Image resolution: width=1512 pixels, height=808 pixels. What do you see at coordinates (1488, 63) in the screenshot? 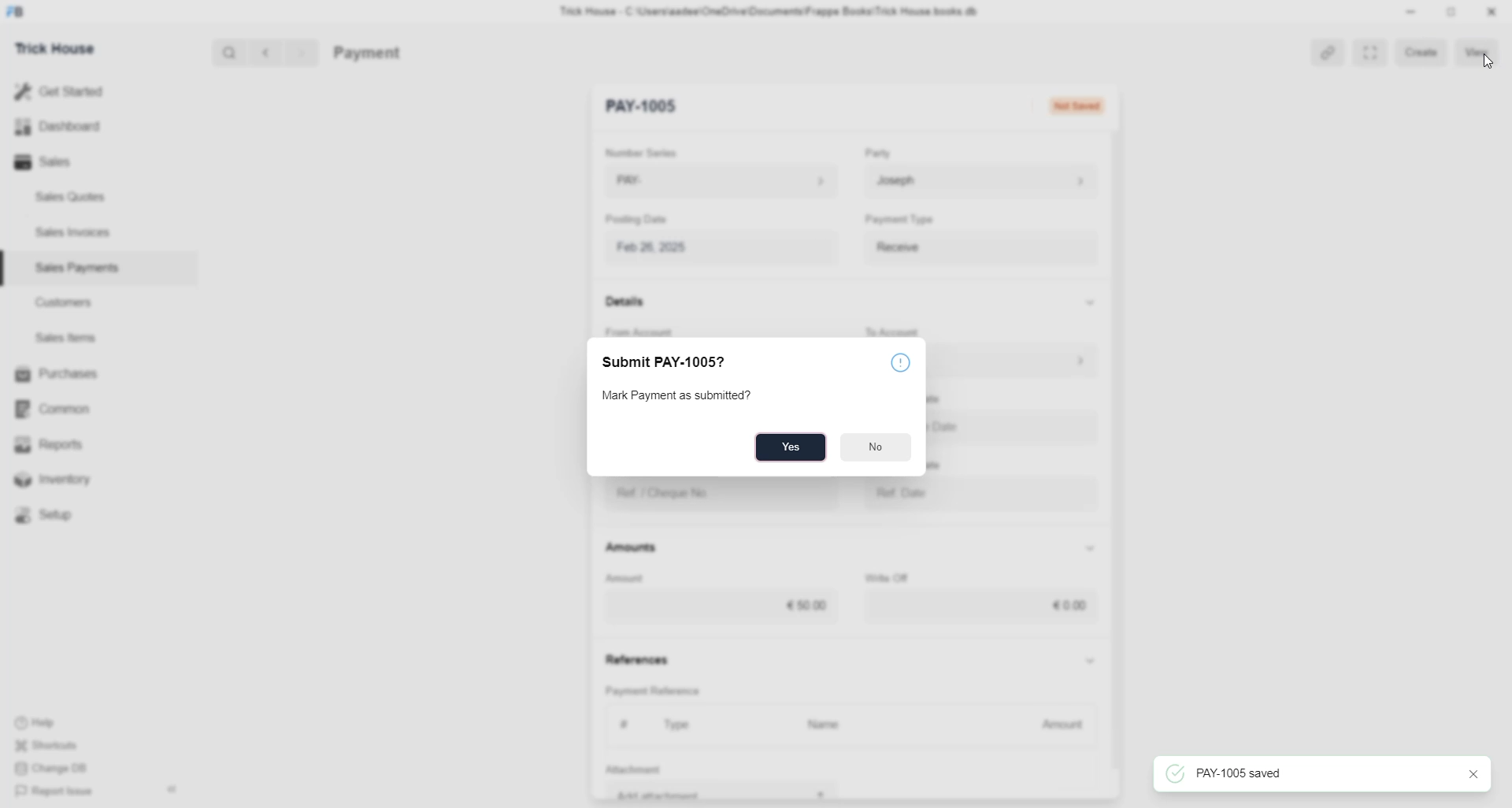
I see `cursor` at bounding box center [1488, 63].